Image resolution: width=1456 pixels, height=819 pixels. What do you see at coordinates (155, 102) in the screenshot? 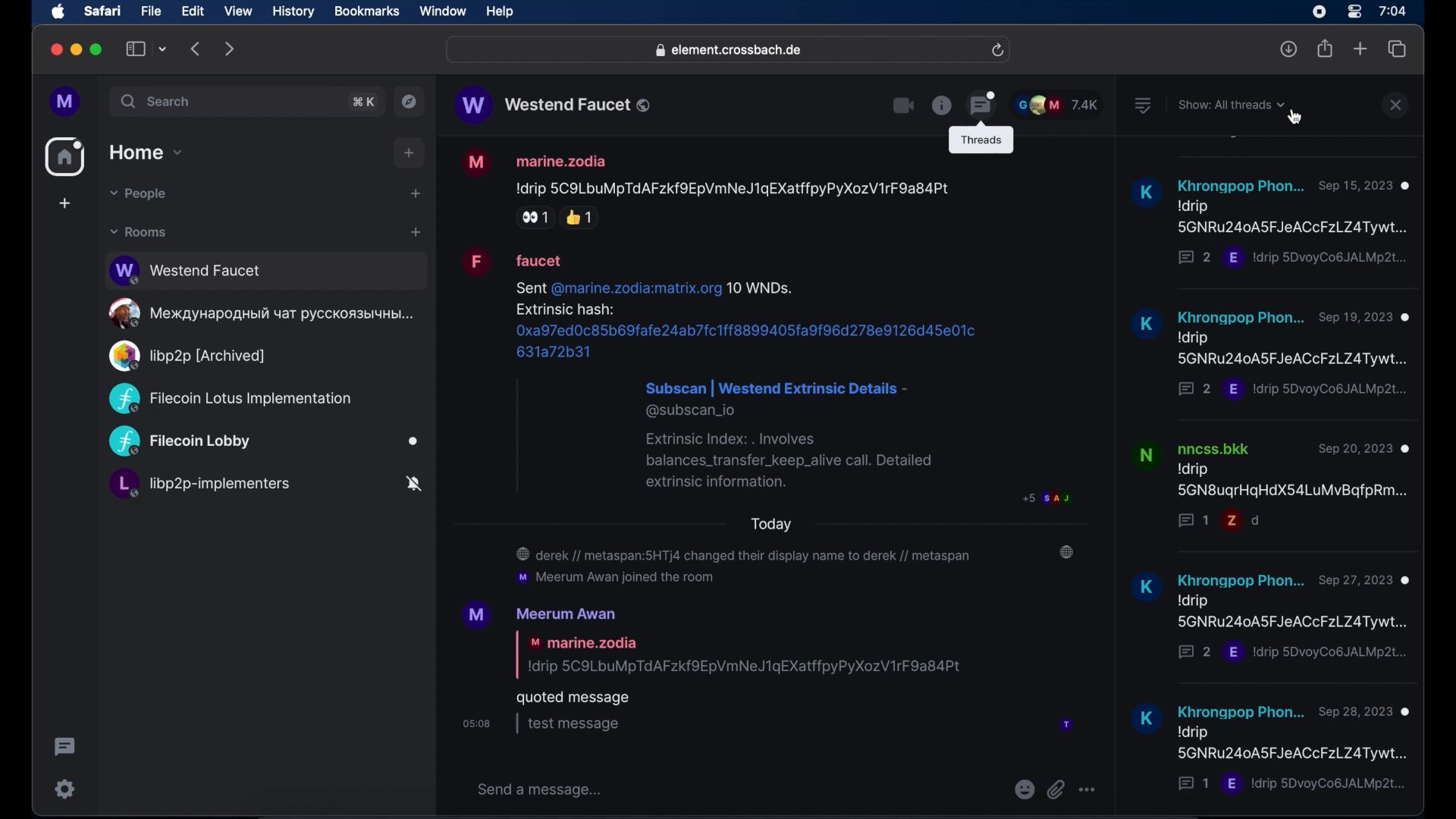
I see `search` at bounding box center [155, 102].